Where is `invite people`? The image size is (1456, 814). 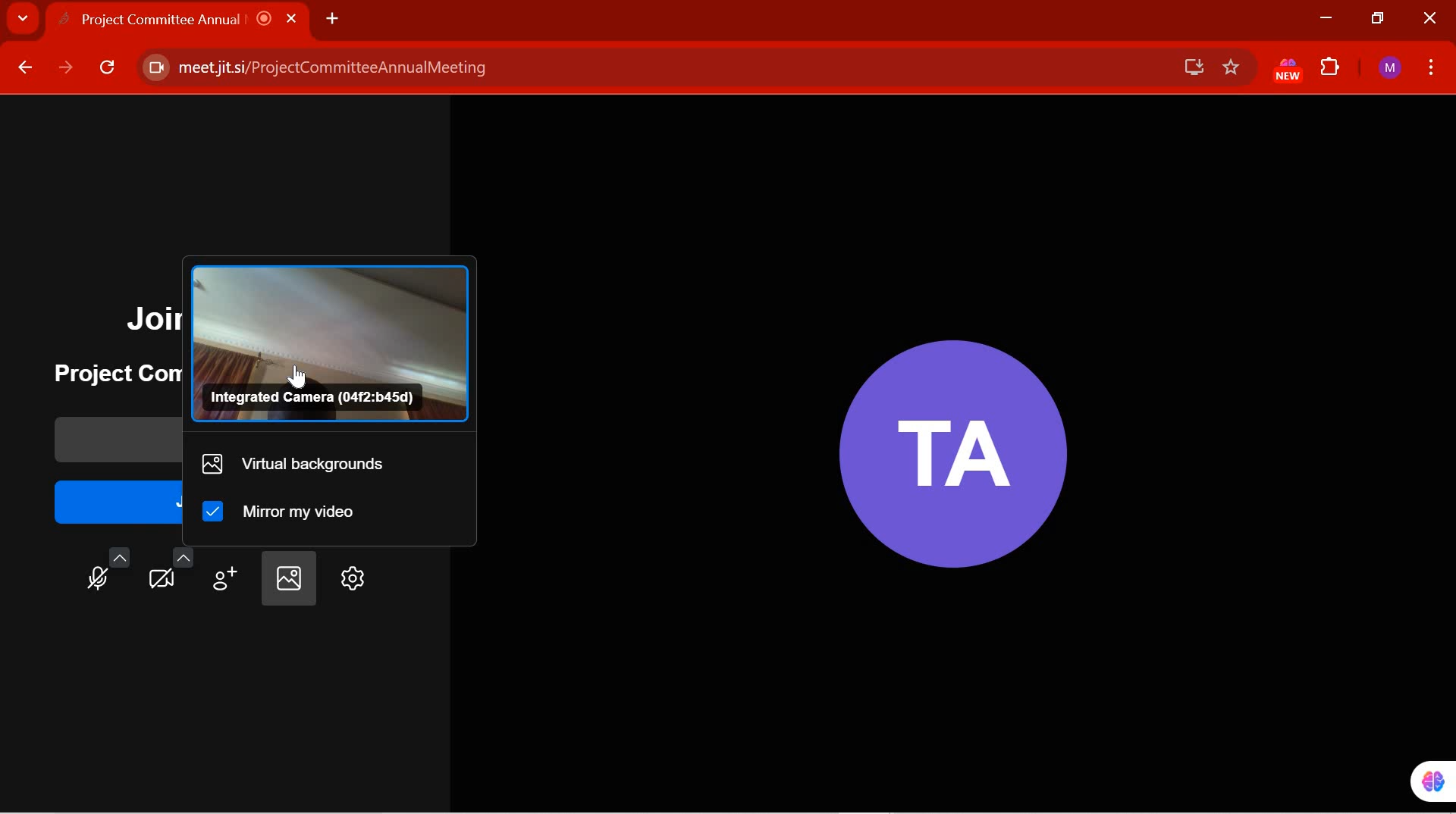 invite people is located at coordinates (227, 573).